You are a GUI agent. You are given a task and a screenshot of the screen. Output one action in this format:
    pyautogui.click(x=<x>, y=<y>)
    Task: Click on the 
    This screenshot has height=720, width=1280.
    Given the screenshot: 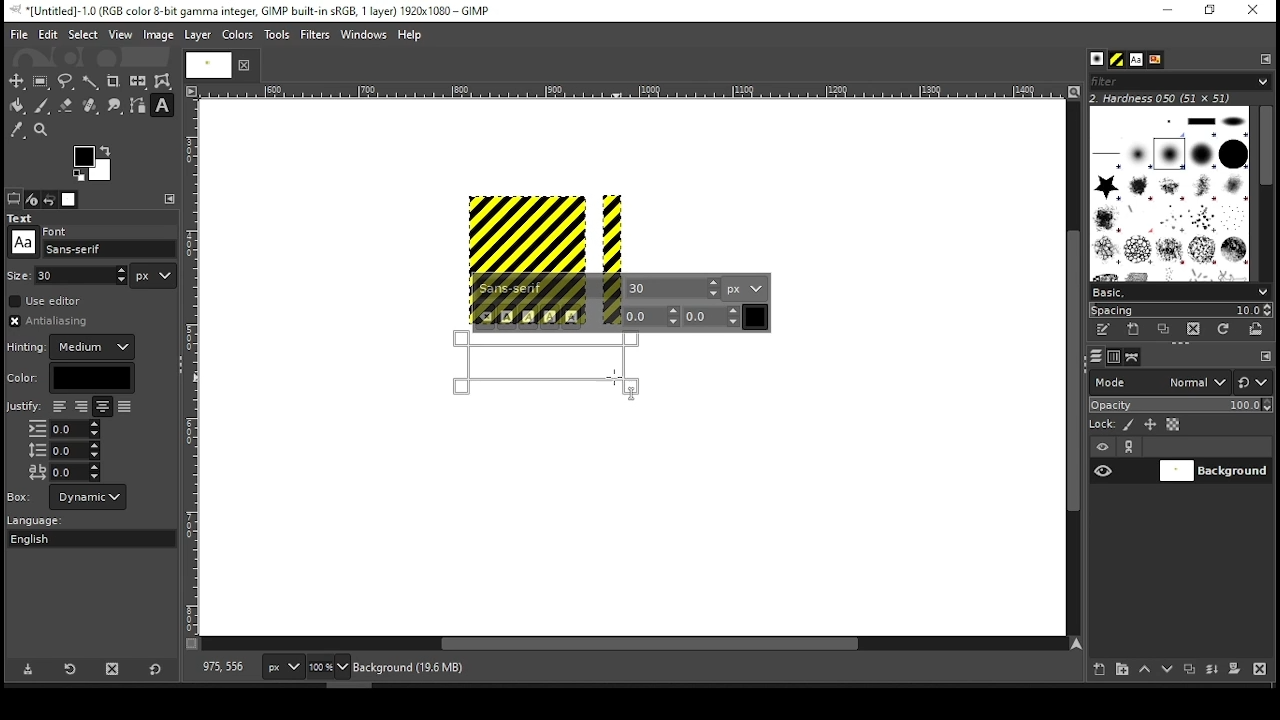 What is the action you would take?
    pyautogui.click(x=19, y=274)
    